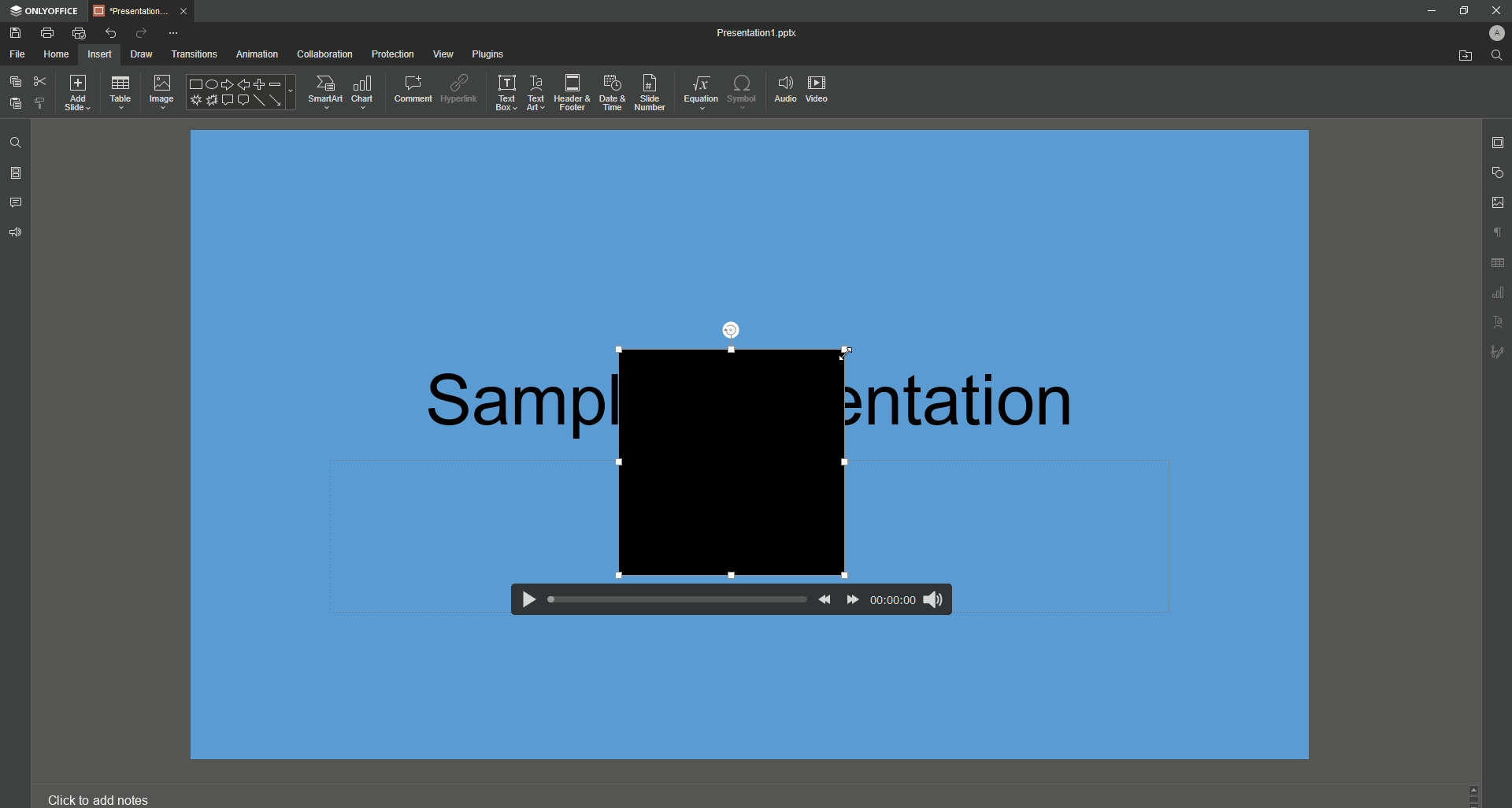 The height and width of the screenshot is (808, 1512). I want to click on Cut, so click(39, 80).